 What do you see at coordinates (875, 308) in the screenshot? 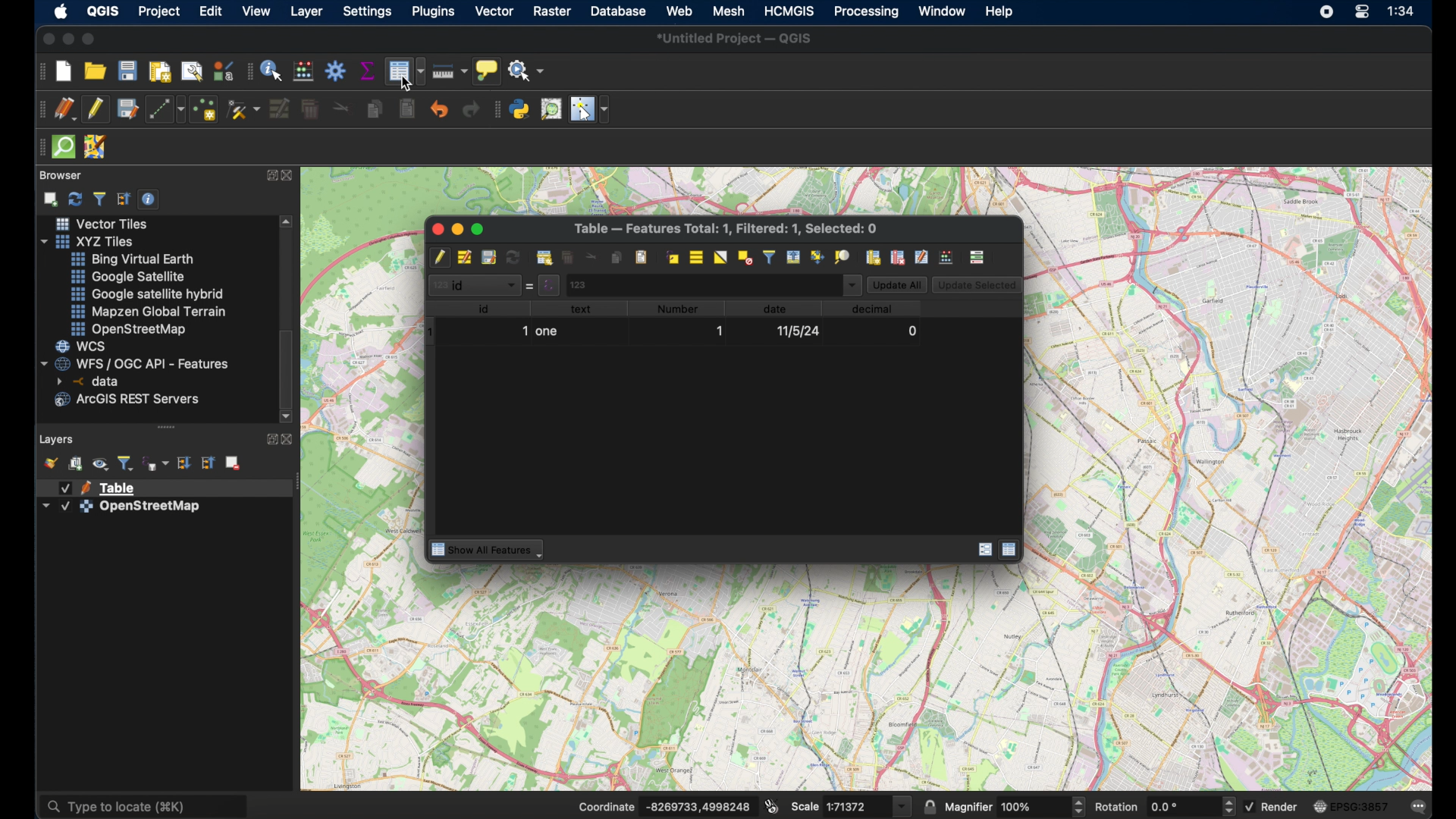
I see `decimal` at bounding box center [875, 308].